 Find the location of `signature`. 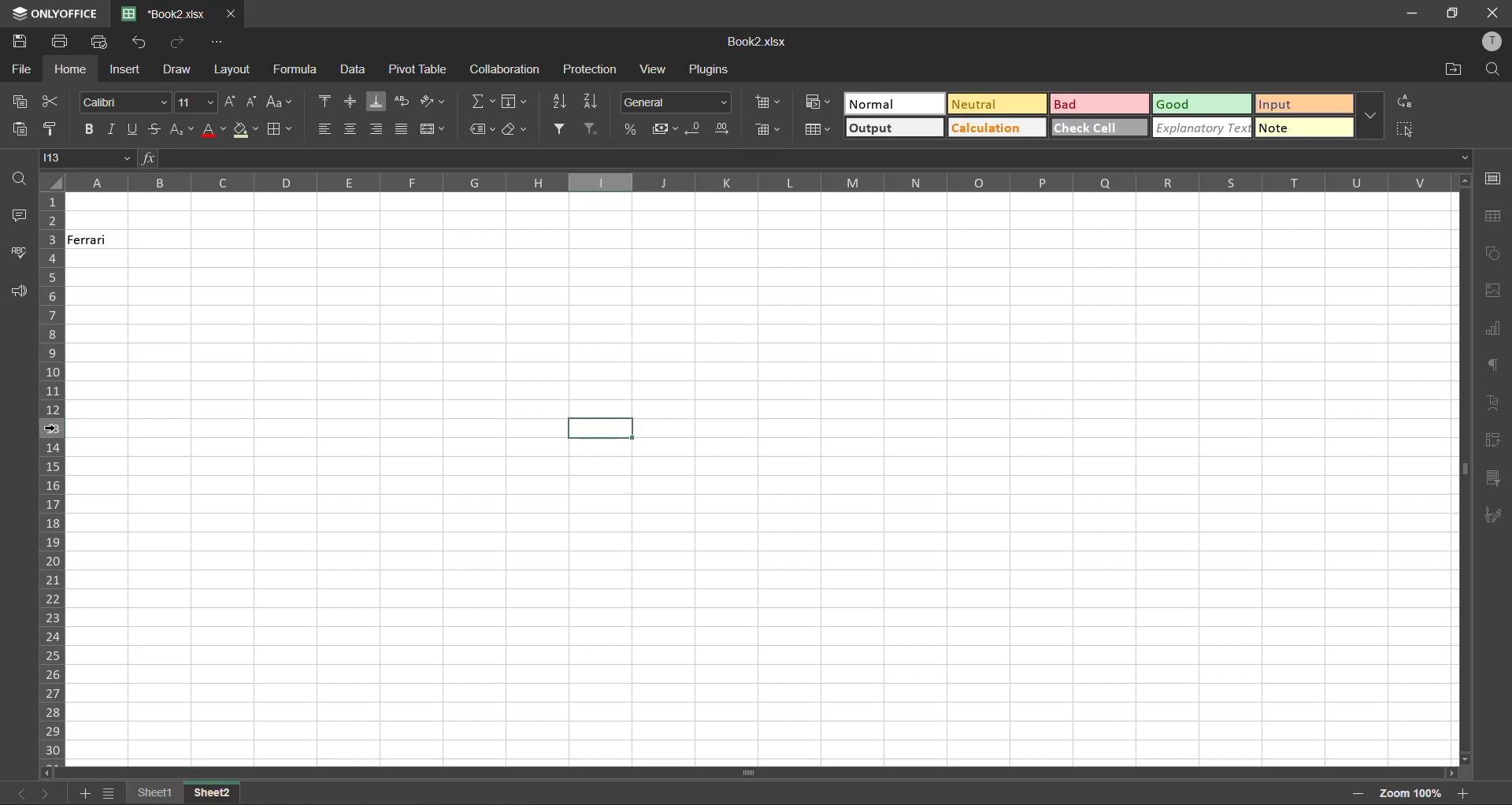

signature is located at coordinates (1497, 514).